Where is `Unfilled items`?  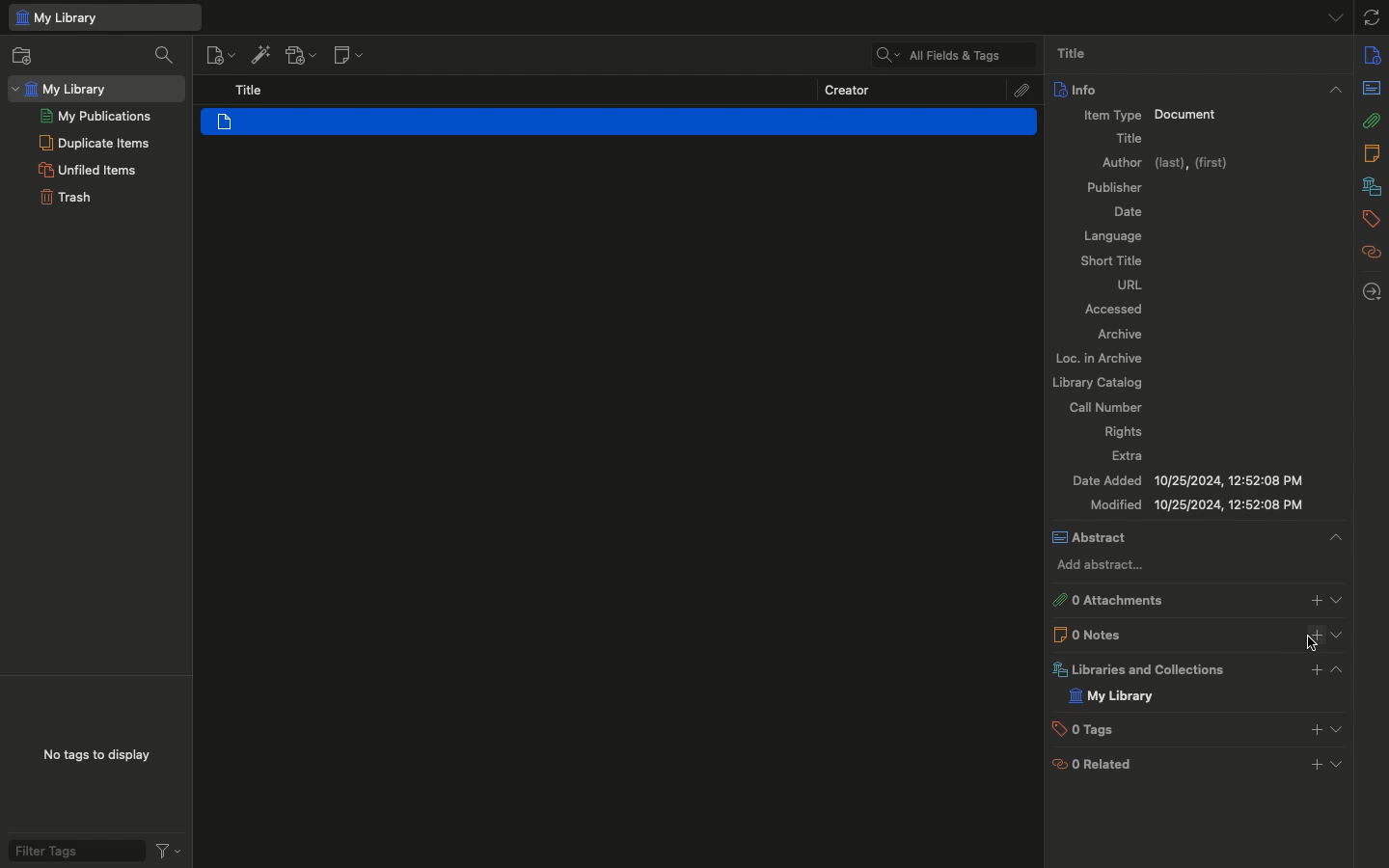 Unfilled items is located at coordinates (87, 170).